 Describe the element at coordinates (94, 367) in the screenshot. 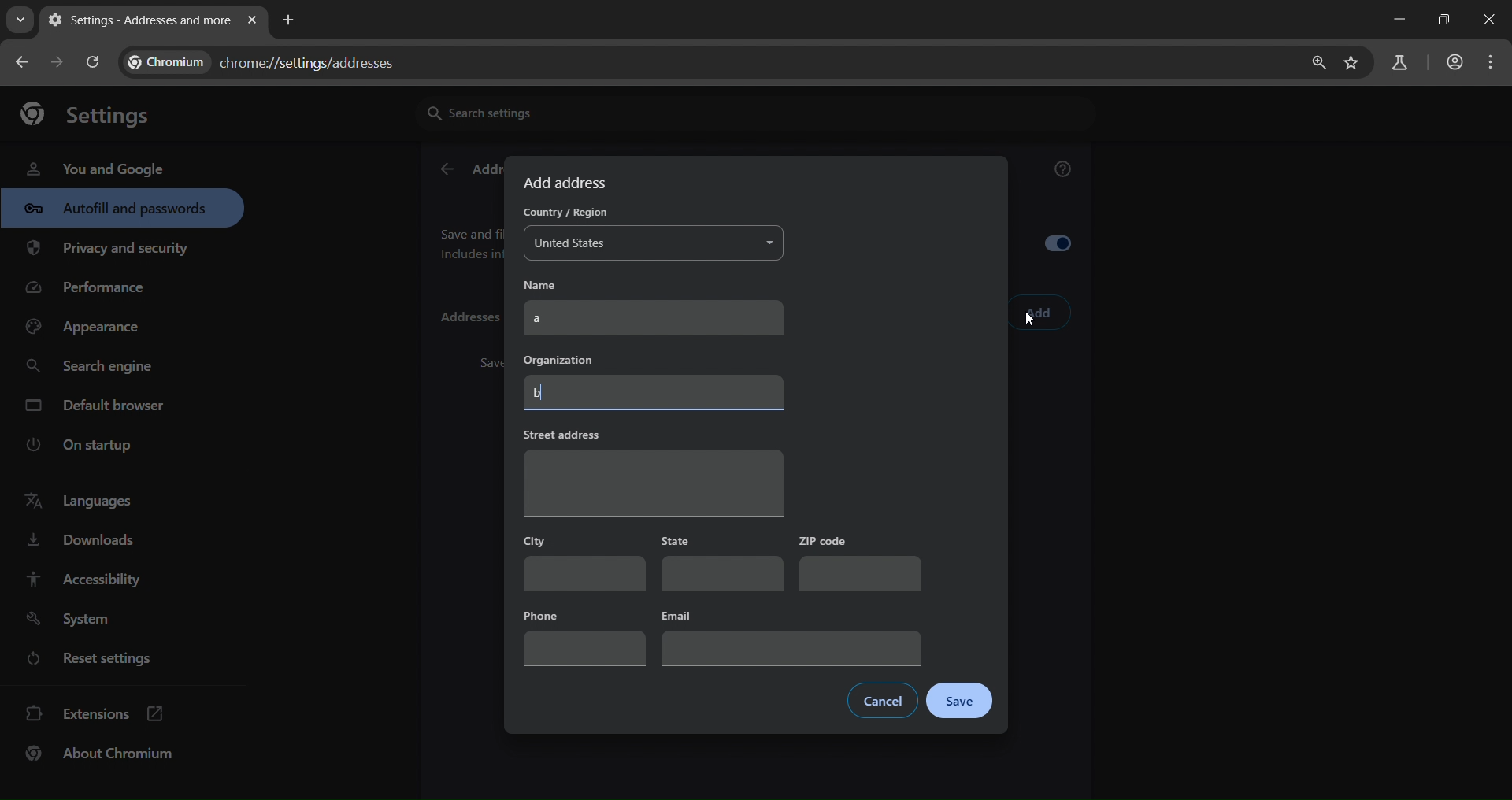

I see `search engine` at that location.